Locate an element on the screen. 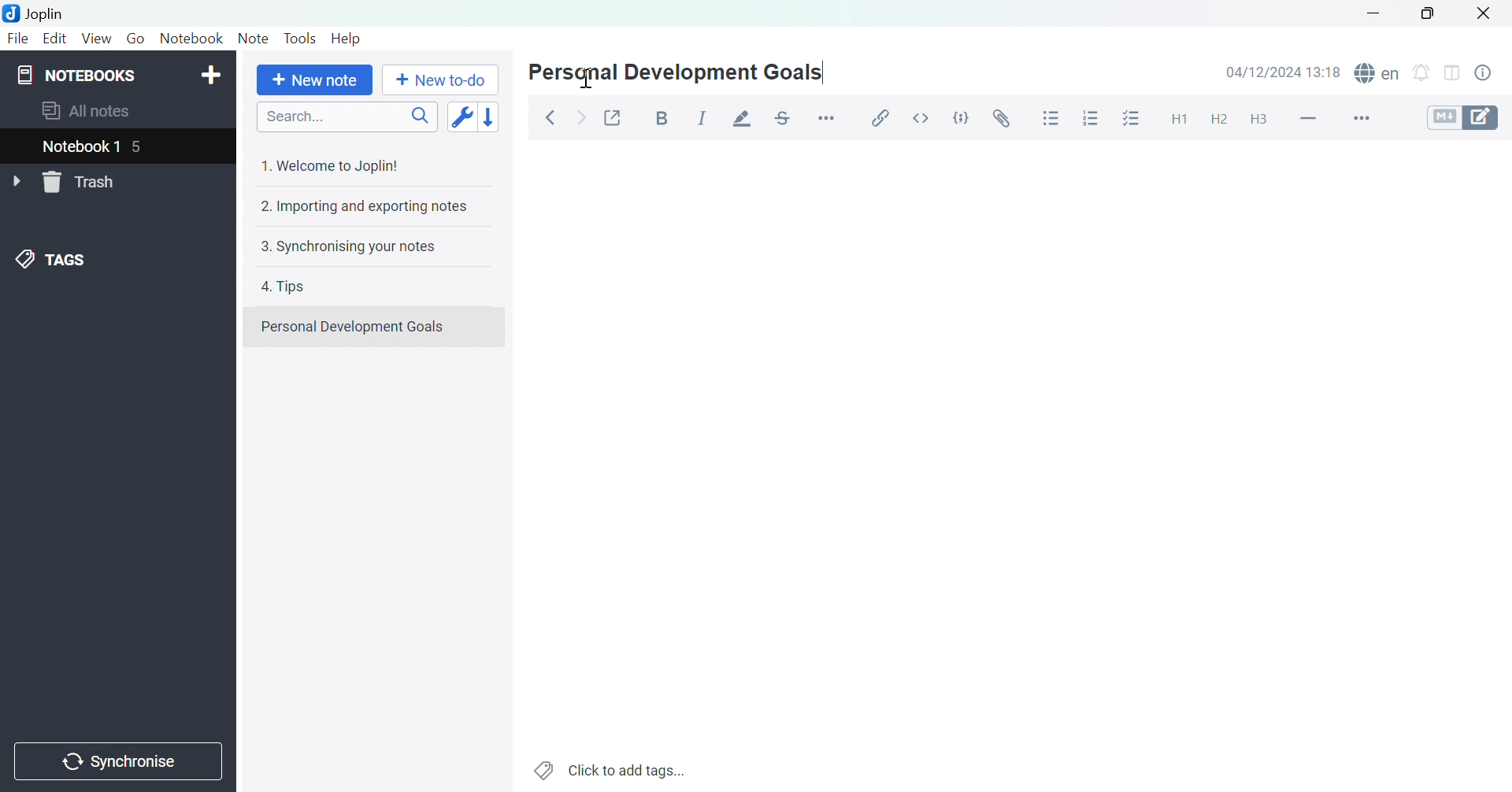 The width and height of the screenshot is (1512, 792). Add notebook is located at coordinates (212, 75).